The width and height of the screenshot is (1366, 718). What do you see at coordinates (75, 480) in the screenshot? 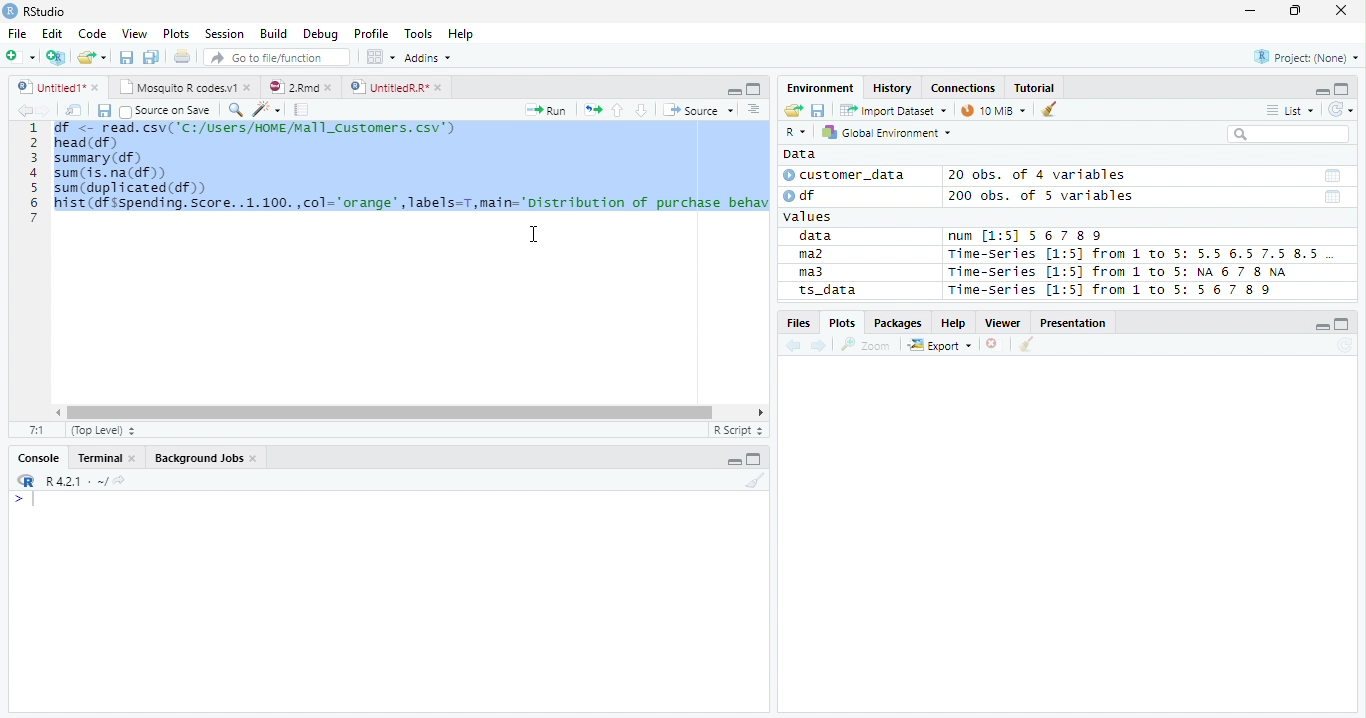
I see `R 4.2.1 ~/` at bounding box center [75, 480].